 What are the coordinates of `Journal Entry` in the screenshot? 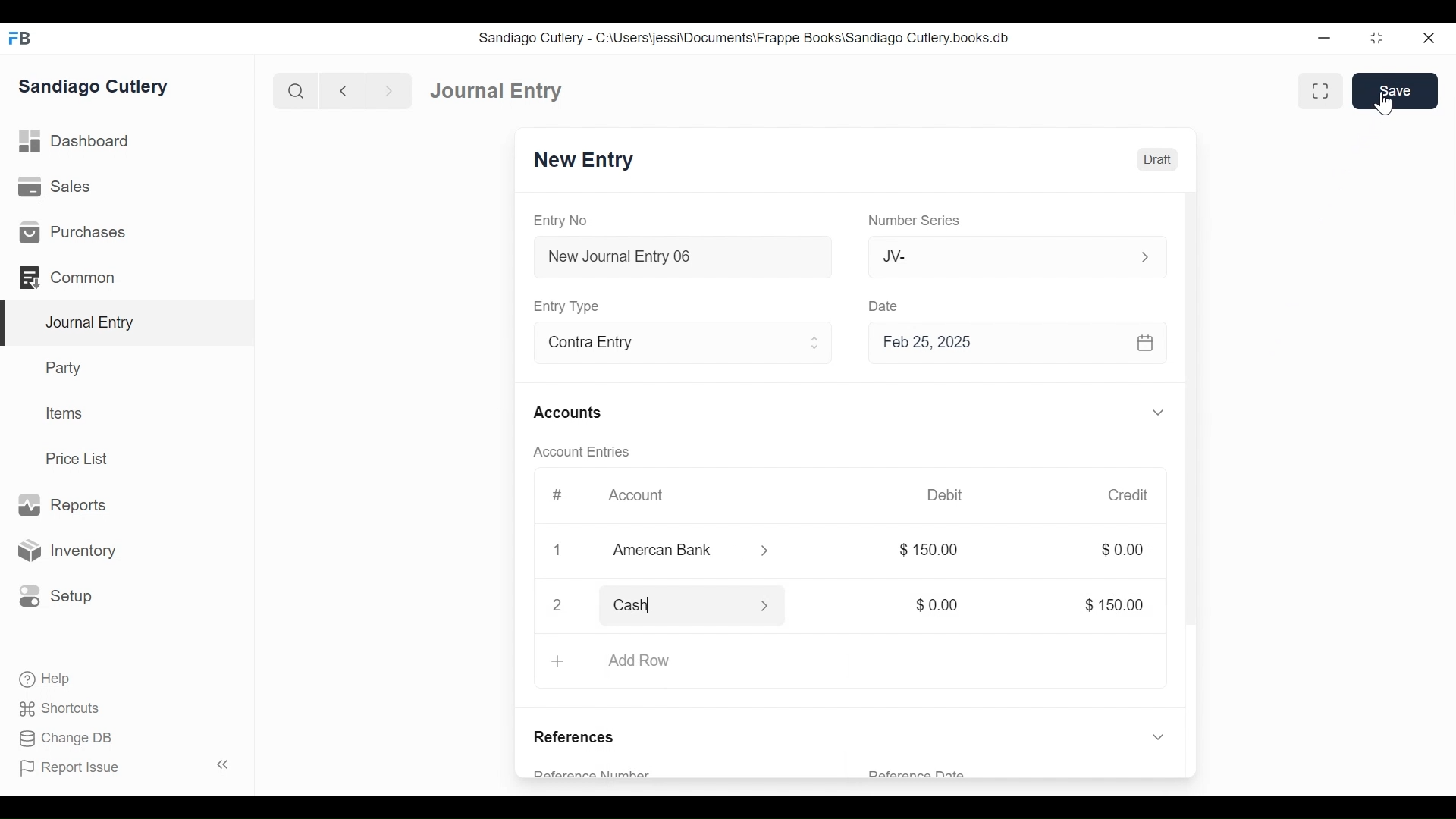 It's located at (497, 89).